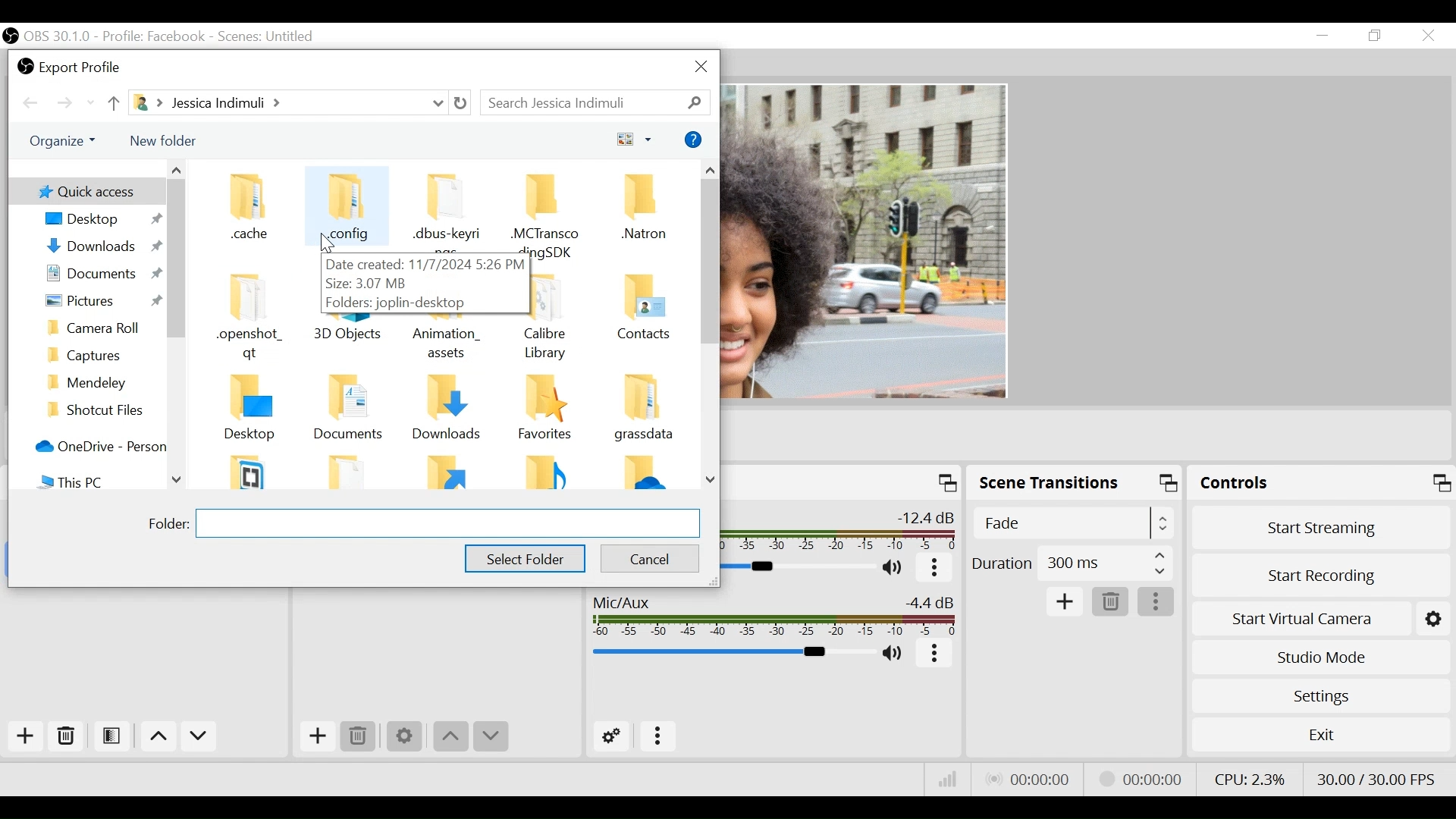 The height and width of the screenshot is (819, 1456). I want to click on Refresh, so click(463, 104).